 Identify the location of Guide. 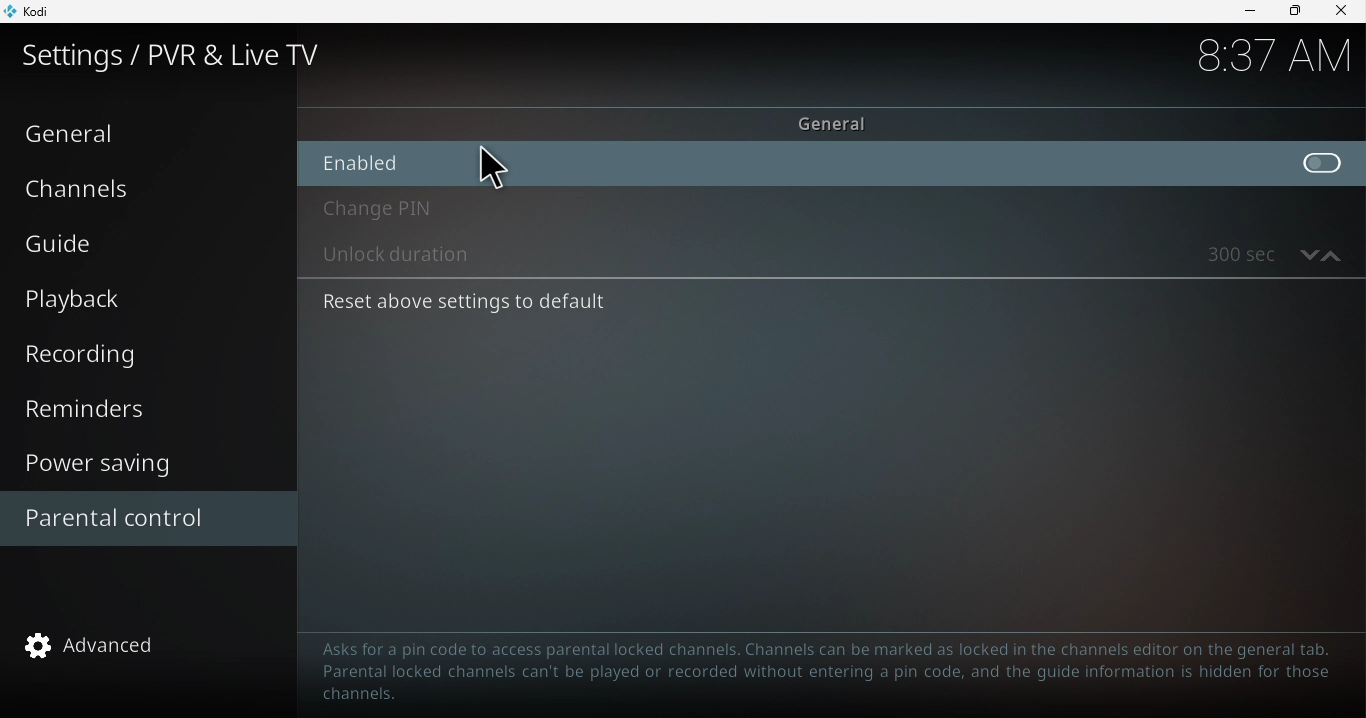
(144, 242).